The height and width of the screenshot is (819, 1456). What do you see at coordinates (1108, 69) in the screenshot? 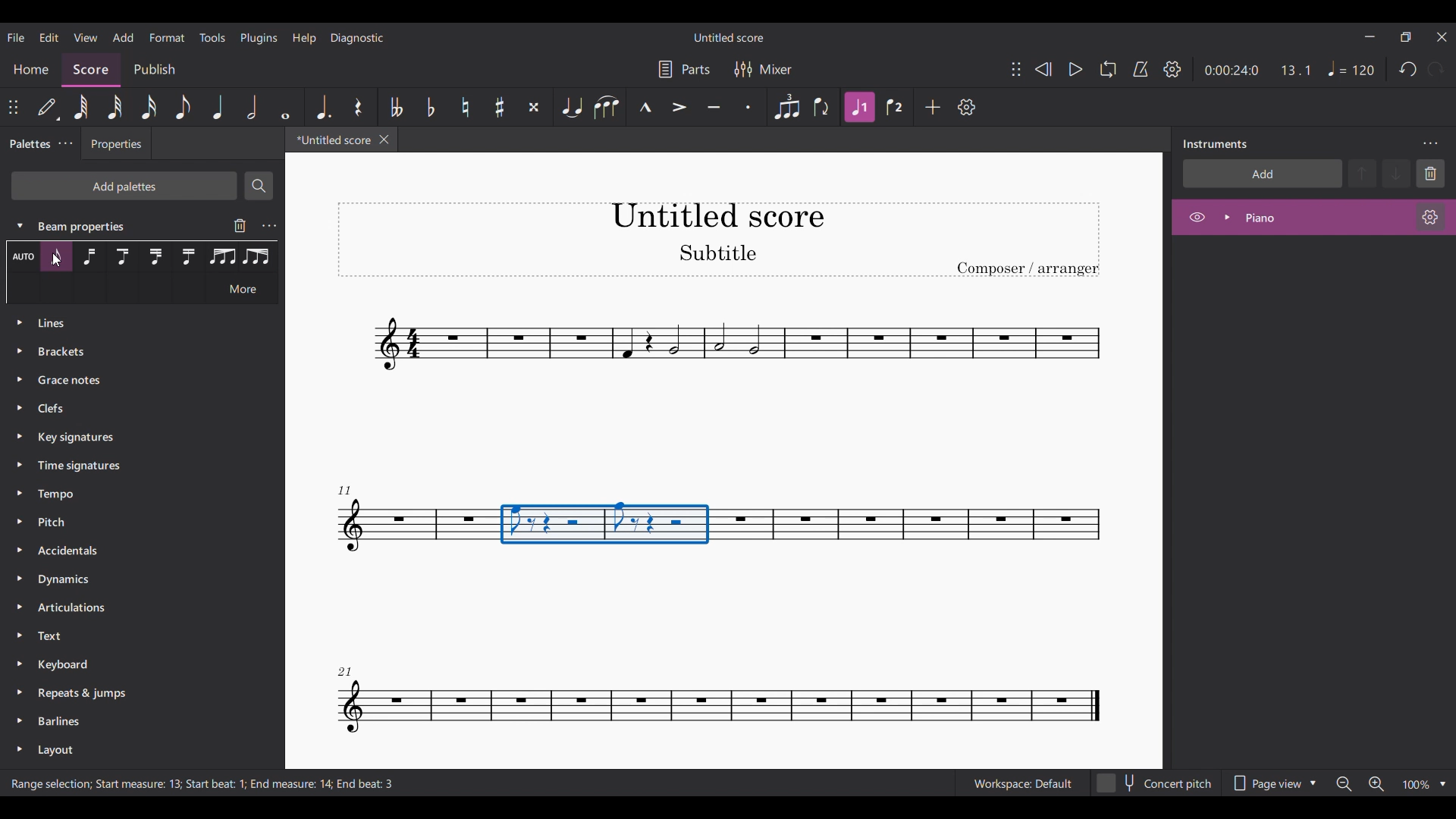
I see `Loop playback` at bounding box center [1108, 69].